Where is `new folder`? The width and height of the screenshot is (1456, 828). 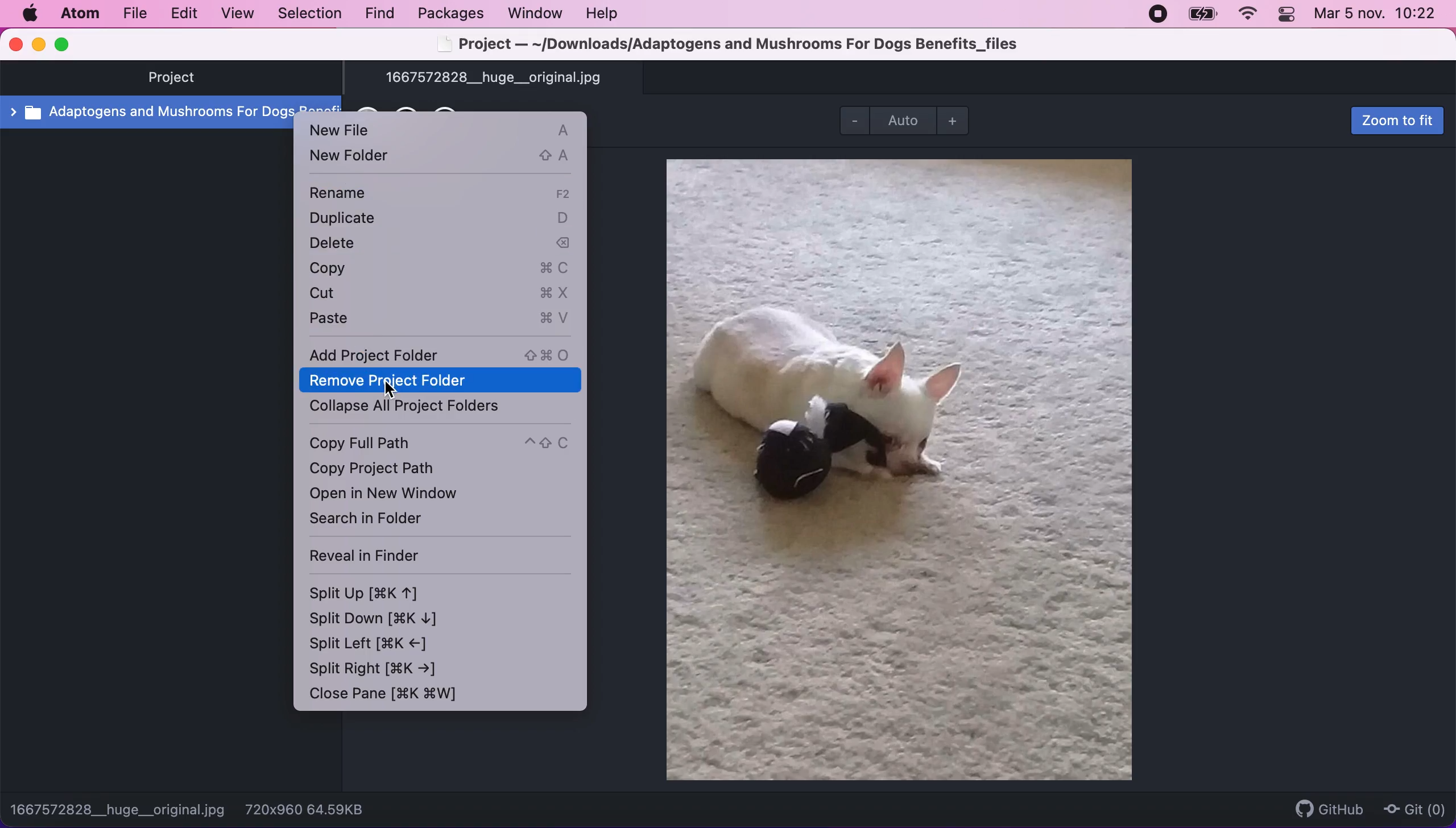
new folder is located at coordinates (443, 159).